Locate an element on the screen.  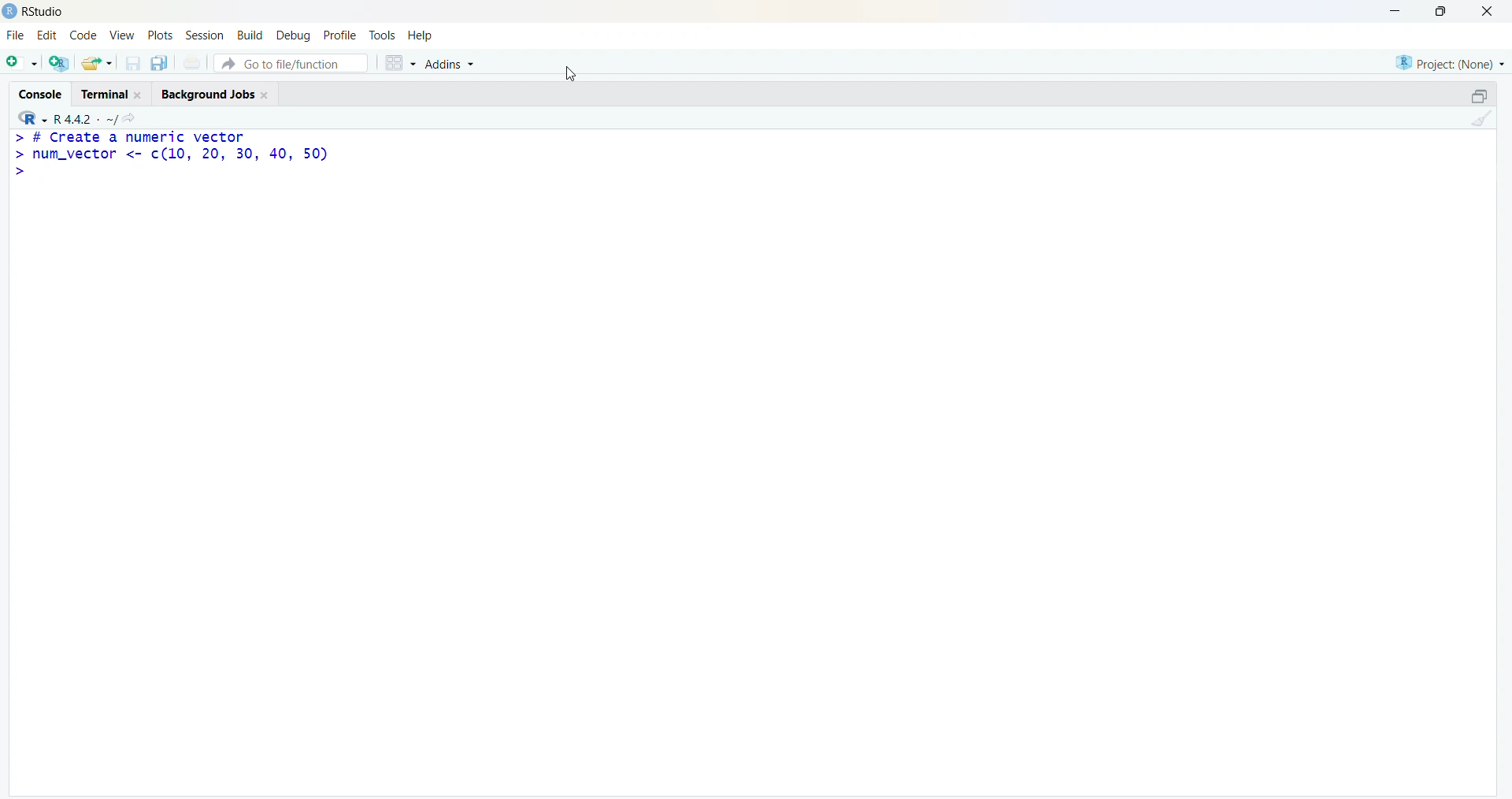
R 4.4.2 ~/ is located at coordinates (84, 119).